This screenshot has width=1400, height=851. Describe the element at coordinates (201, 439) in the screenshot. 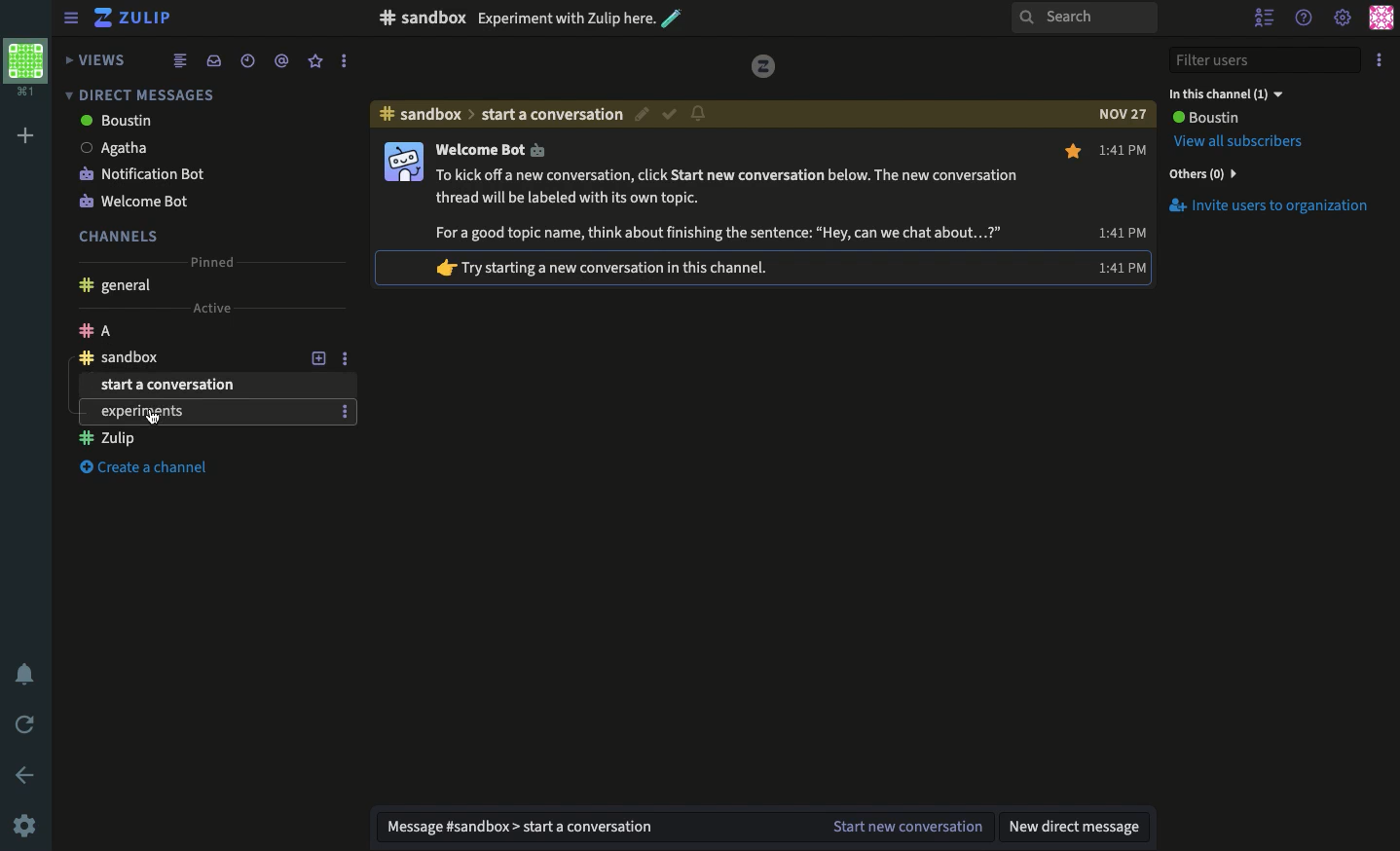

I see `Experiments` at that location.